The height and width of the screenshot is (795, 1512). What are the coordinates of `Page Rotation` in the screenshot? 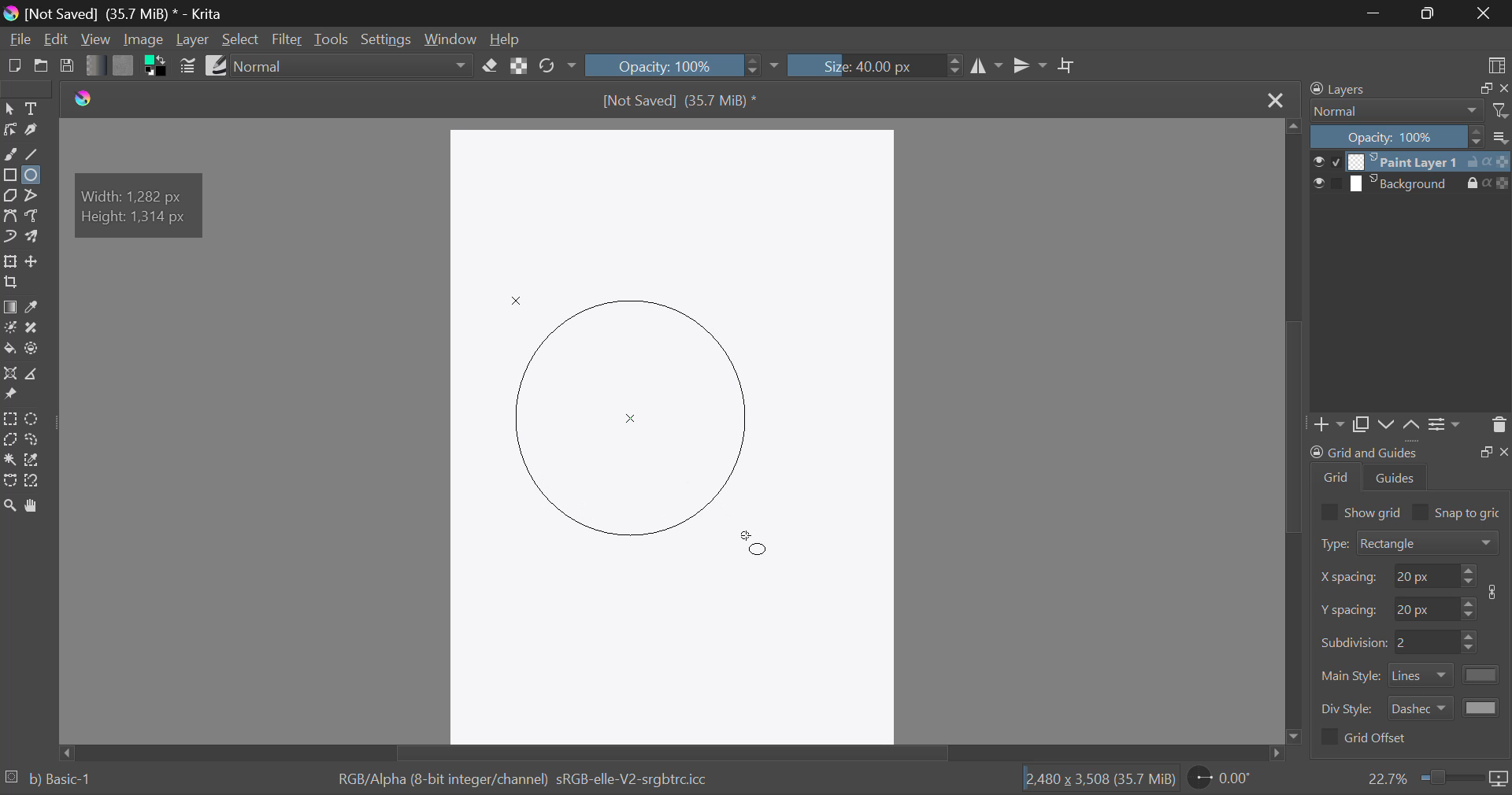 It's located at (1224, 780).